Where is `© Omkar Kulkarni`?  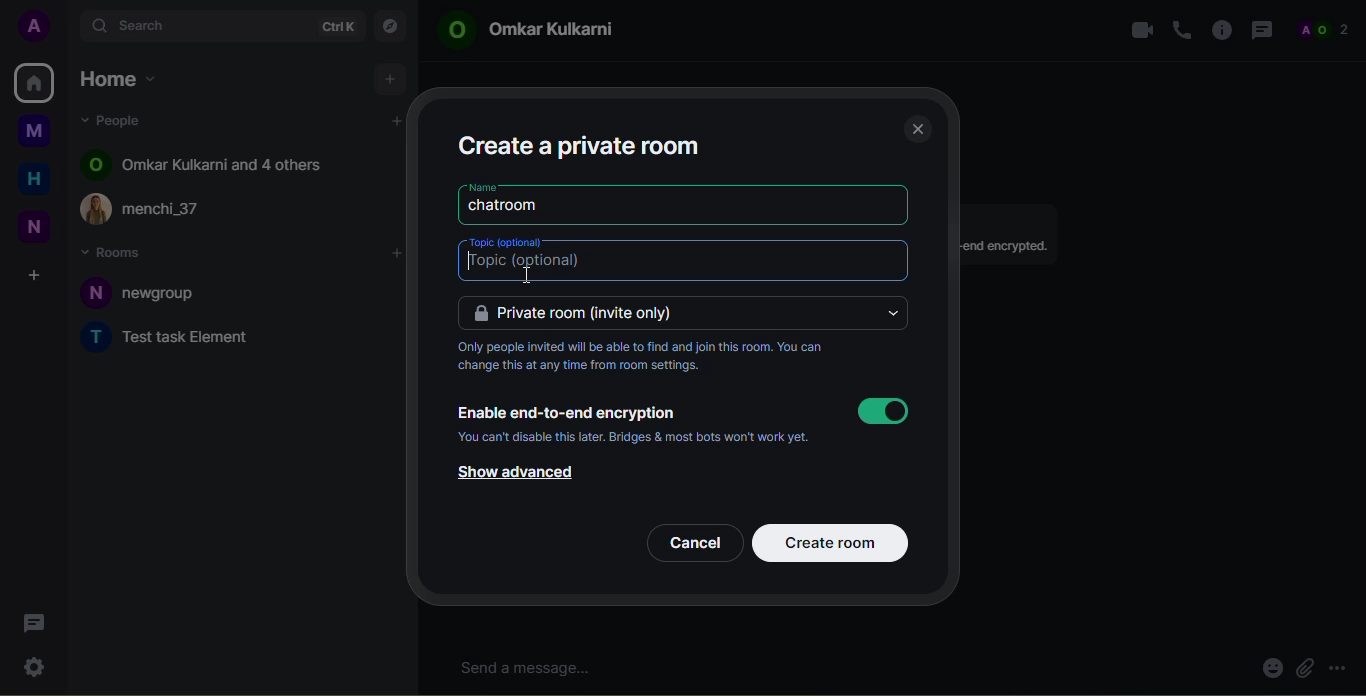
© Omkar Kulkarni is located at coordinates (534, 34).